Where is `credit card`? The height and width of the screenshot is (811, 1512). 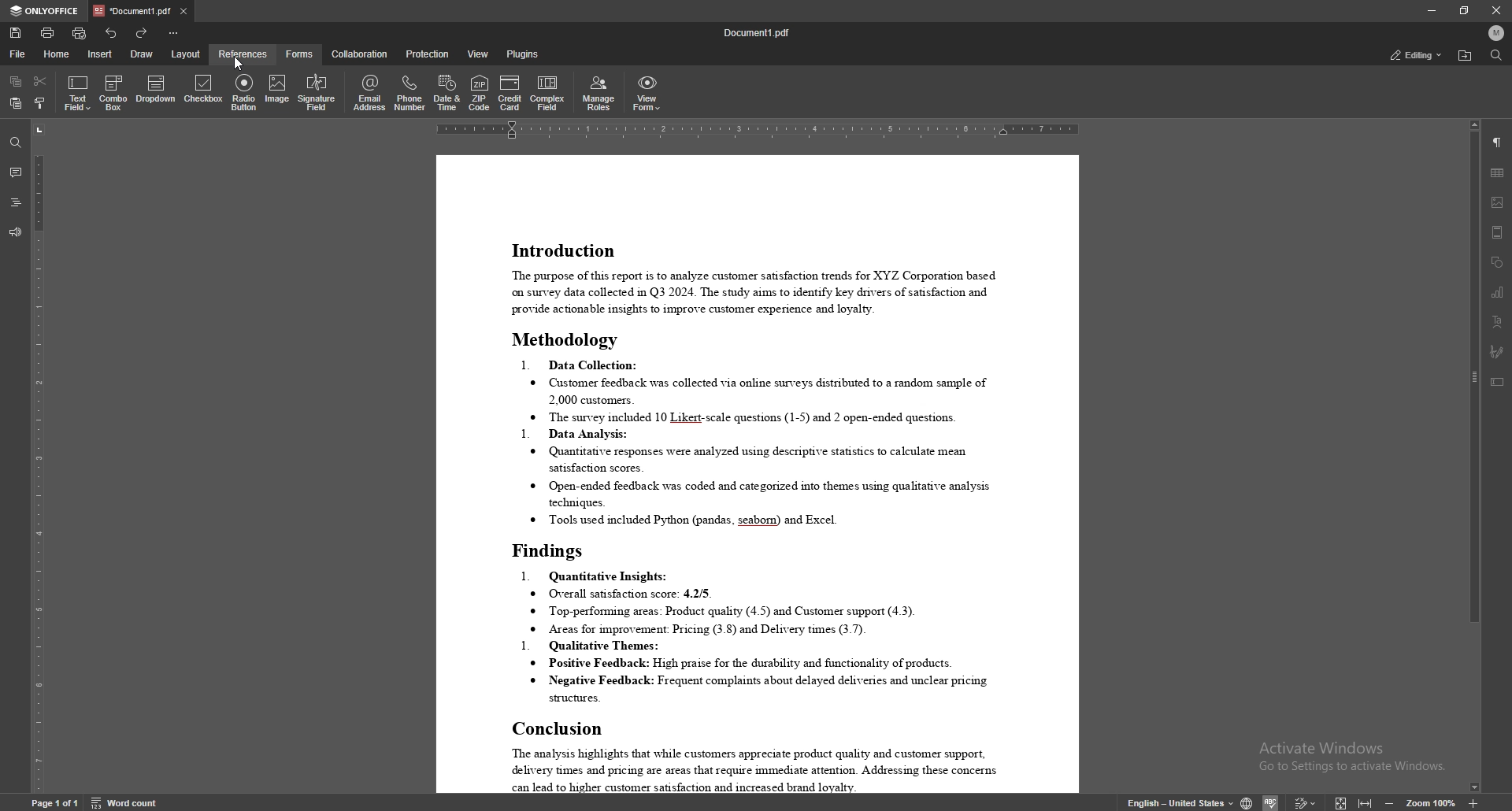 credit card is located at coordinates (510, 94).